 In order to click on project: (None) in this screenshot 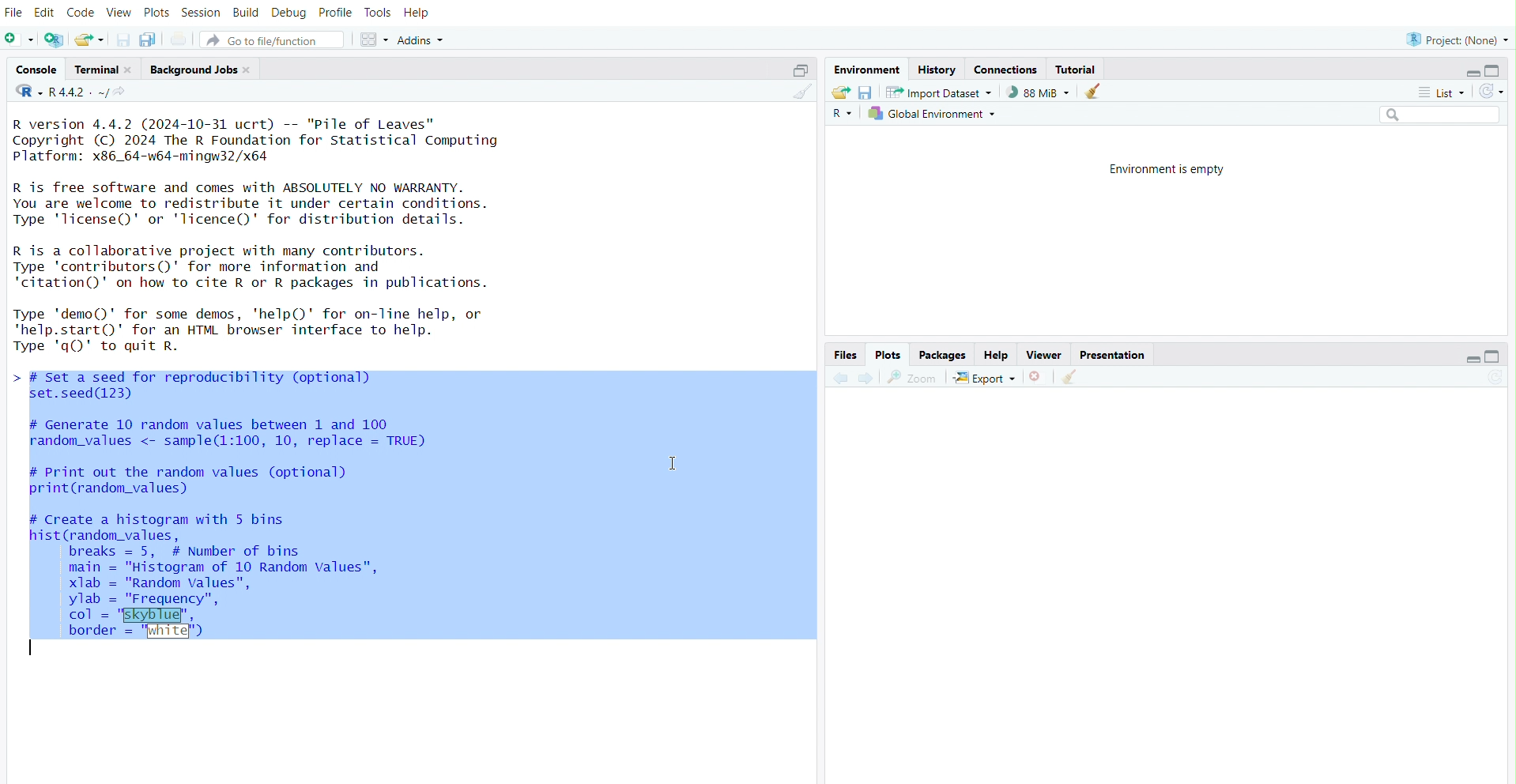, I will do `click(1454, 38)`.